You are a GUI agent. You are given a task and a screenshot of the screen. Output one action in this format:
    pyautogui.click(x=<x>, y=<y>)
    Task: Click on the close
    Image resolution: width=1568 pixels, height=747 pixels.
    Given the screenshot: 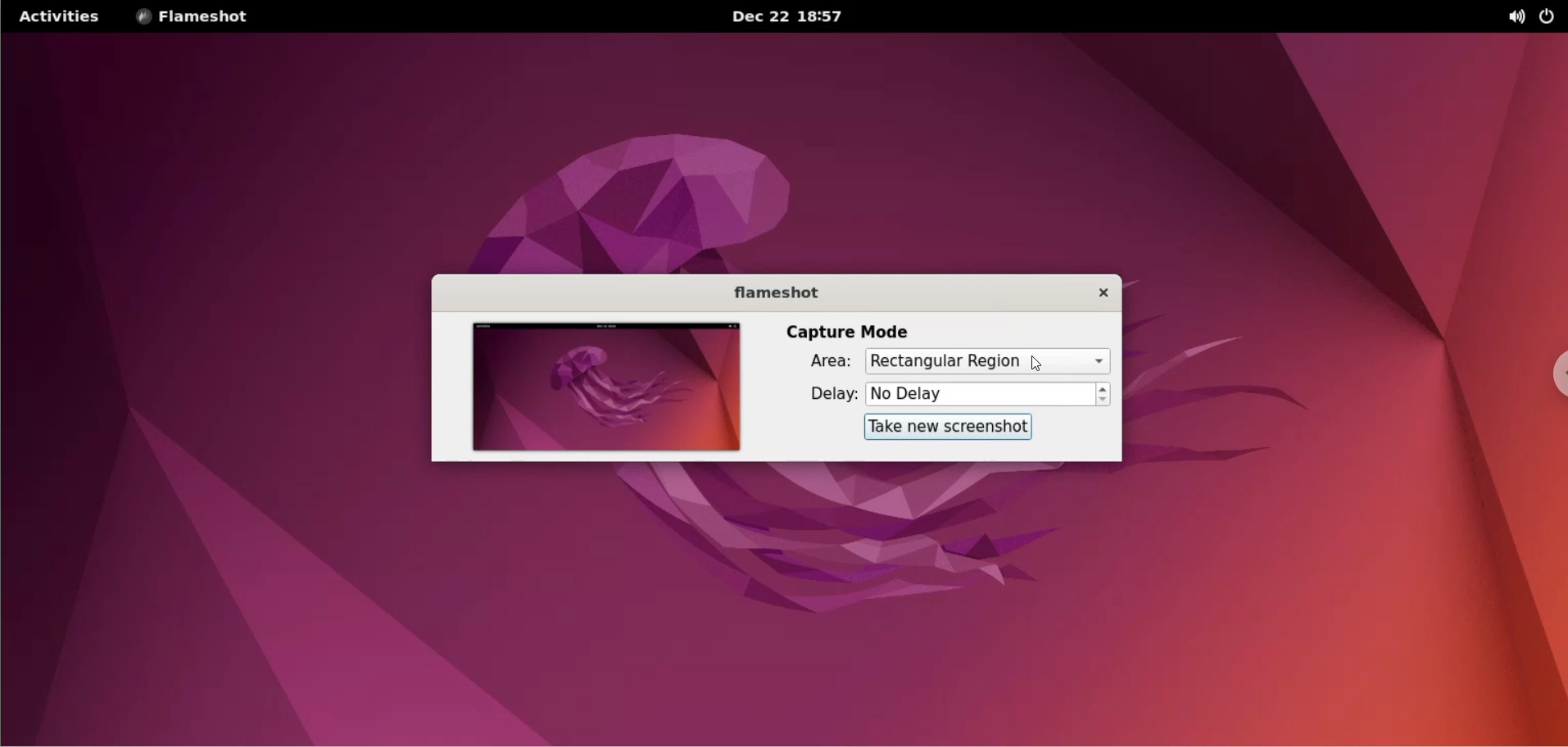 What is the action you would take?
    pyautogui.click(x=1092, y=292)
    